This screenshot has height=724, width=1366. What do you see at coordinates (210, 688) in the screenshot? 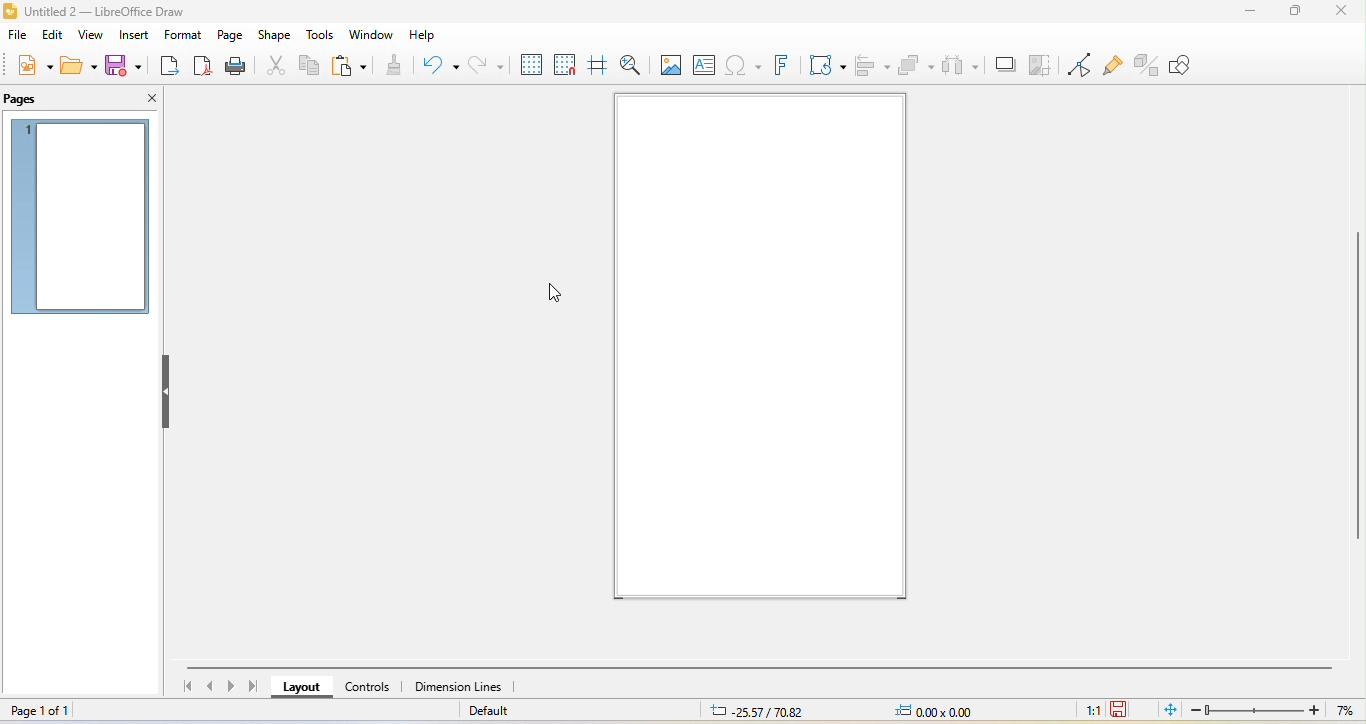
I see `previous page` at bounding box center [210, 688].